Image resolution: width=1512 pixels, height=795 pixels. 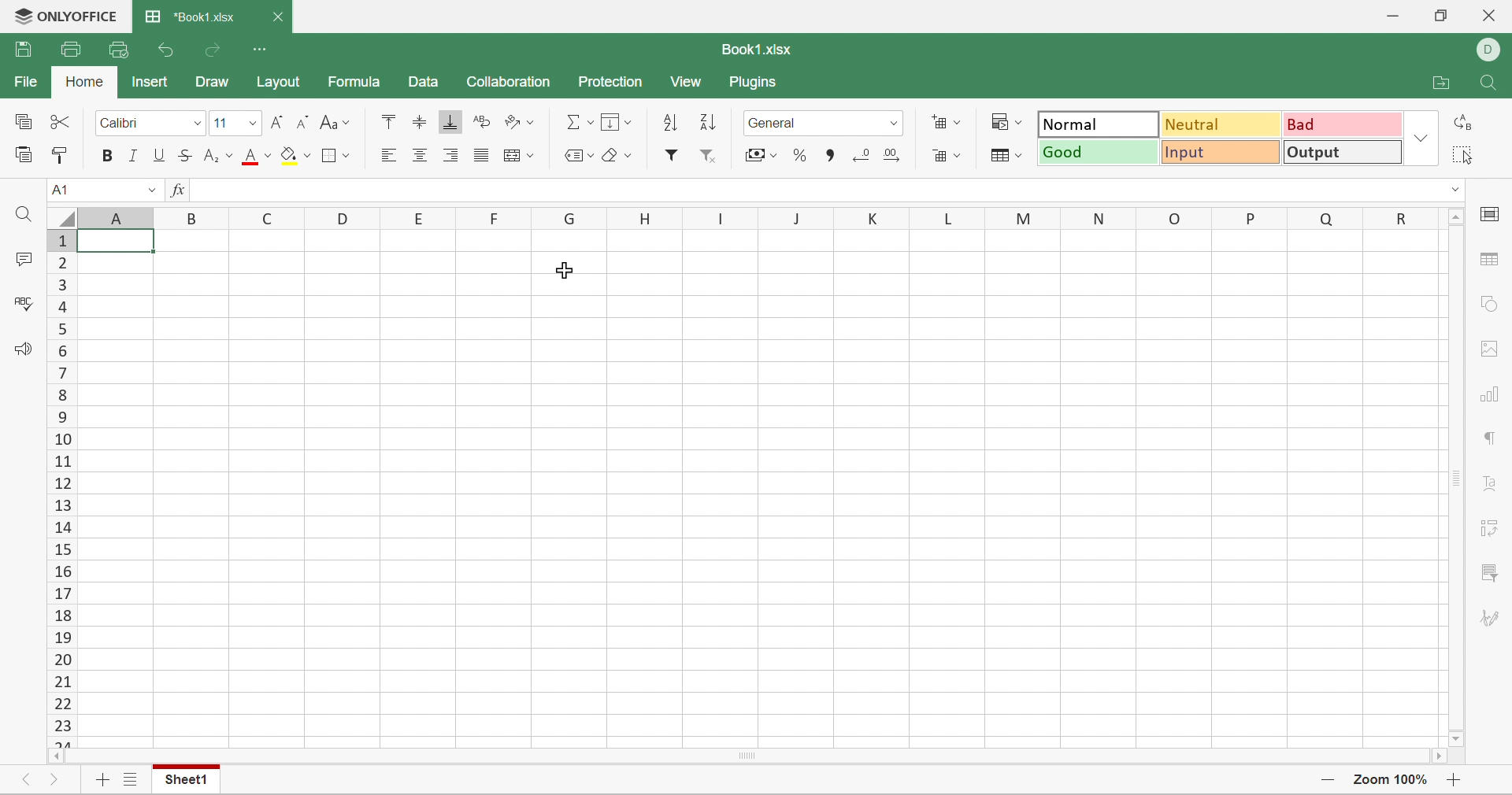 What do you see at coordinates (280, 79) in the screenshot?
I see `Layout` at bounding box center [280, 79].